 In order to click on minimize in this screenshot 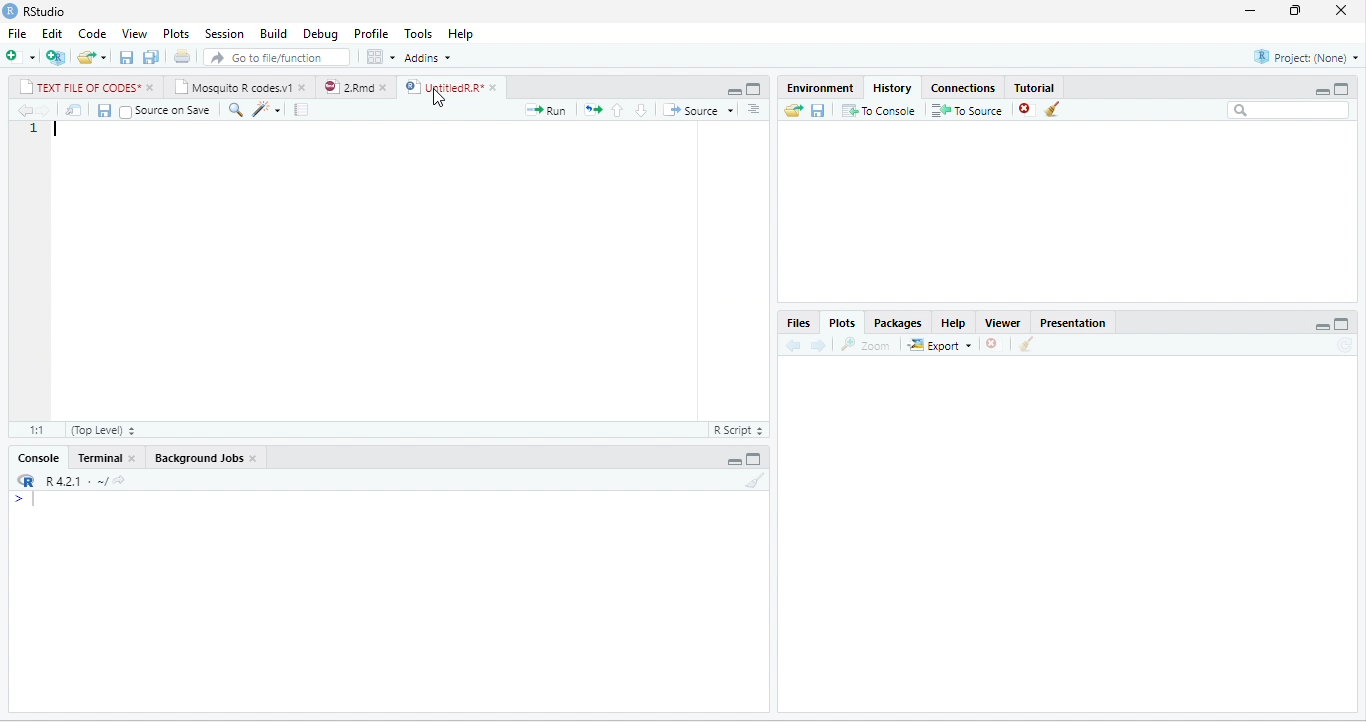, I will do `click(1322, 326)`.